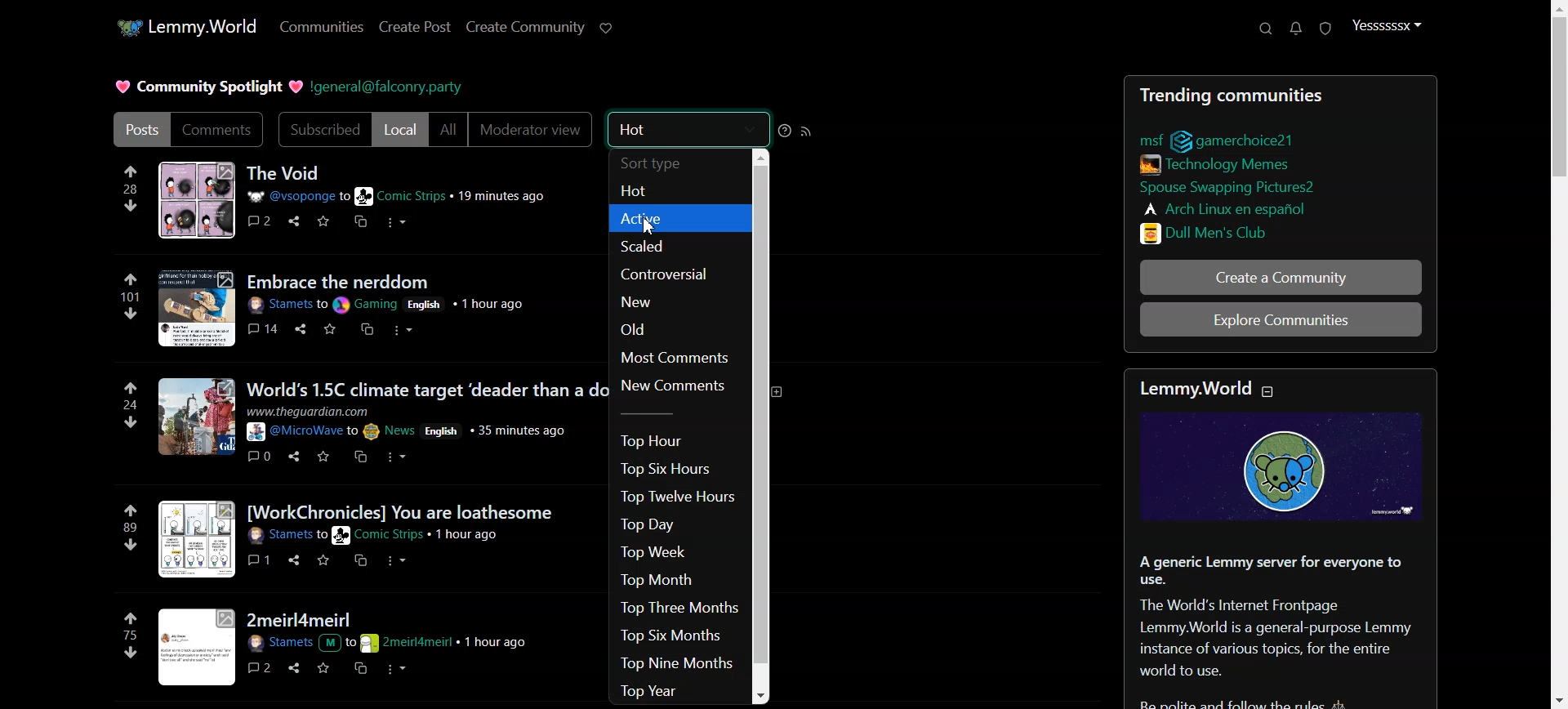 This screenshot has width=1568, height=709. What do you see at coordinates (359, 221) in the screenshot?
I see `cross post` at bounding box center [359, 221].